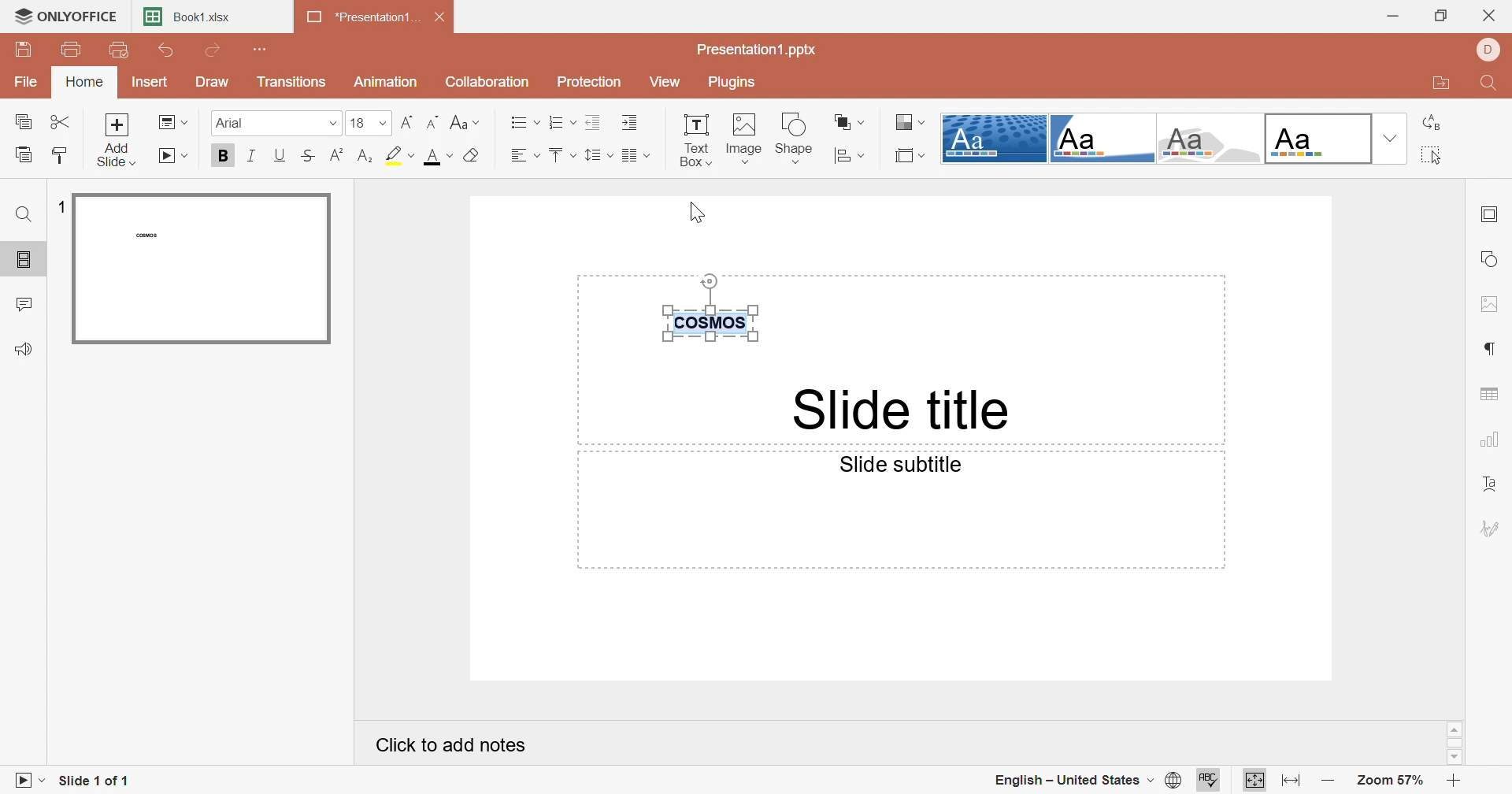 The height and width of the screenshot is (794, 1512). Describe the element at coordinates (360, 17) in the screenshot. I see `*Presentation1...` at that location.